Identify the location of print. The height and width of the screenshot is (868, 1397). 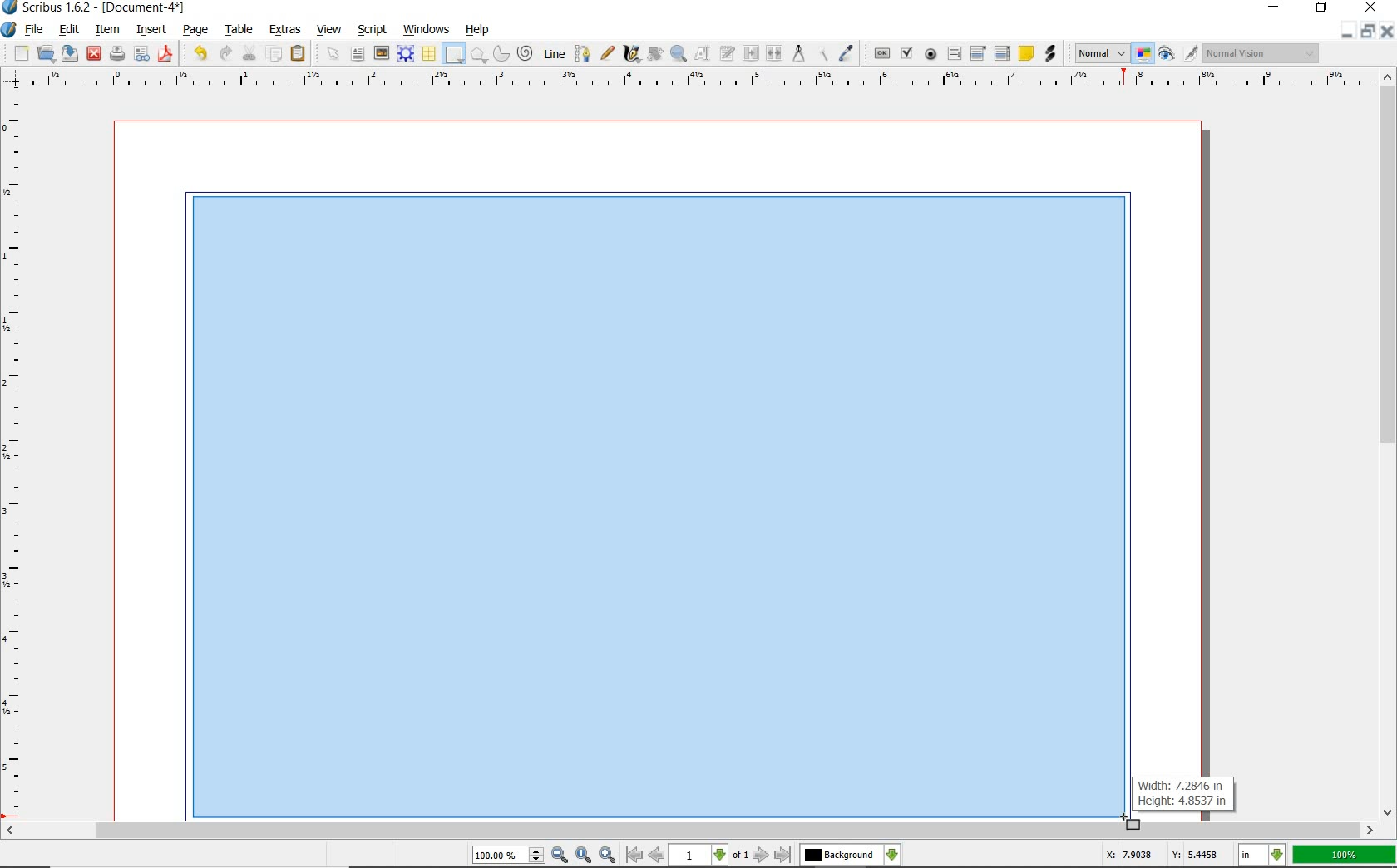
(116, 54).